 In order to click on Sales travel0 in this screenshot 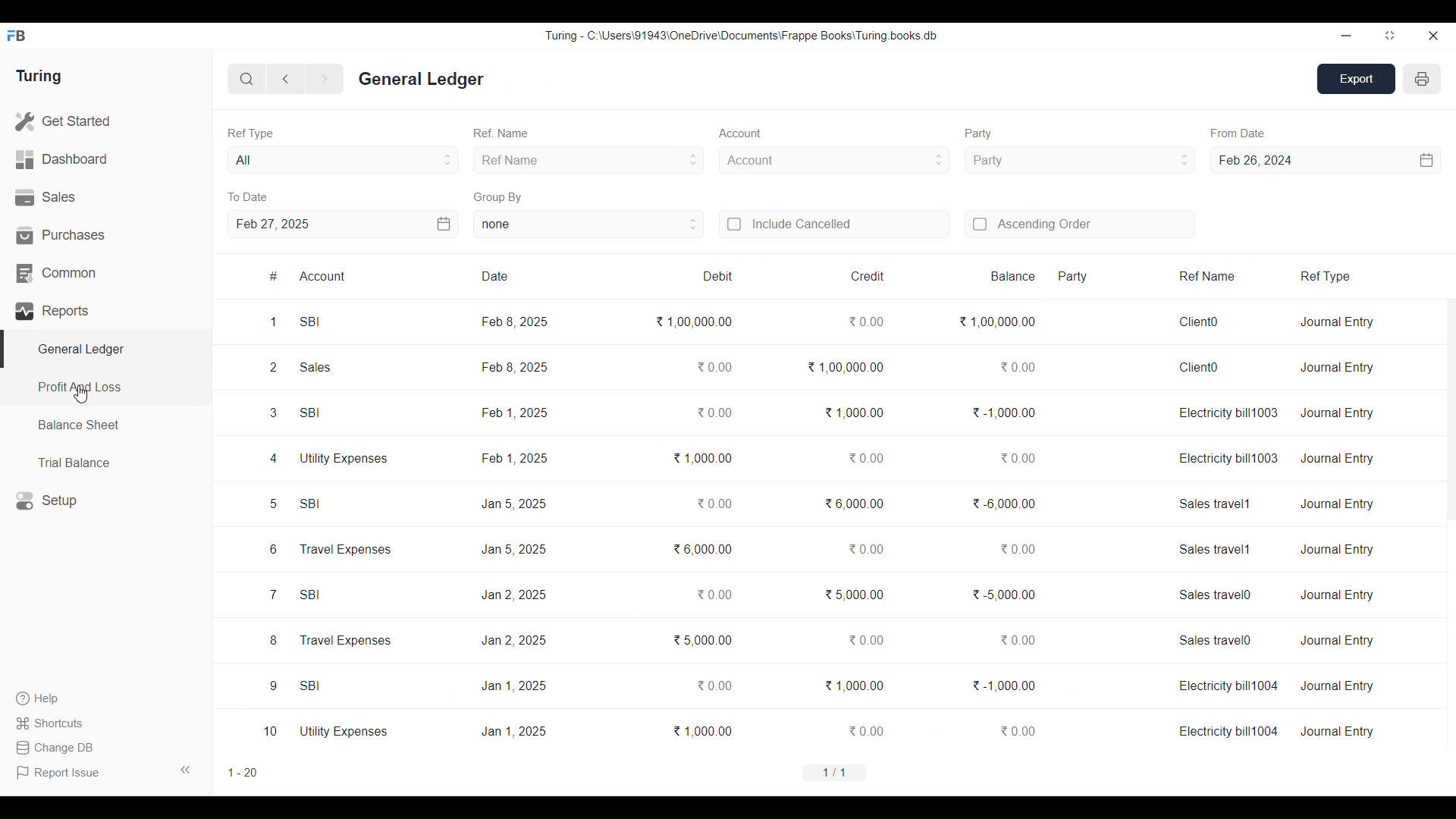, I will do `click(1217, 639)`.